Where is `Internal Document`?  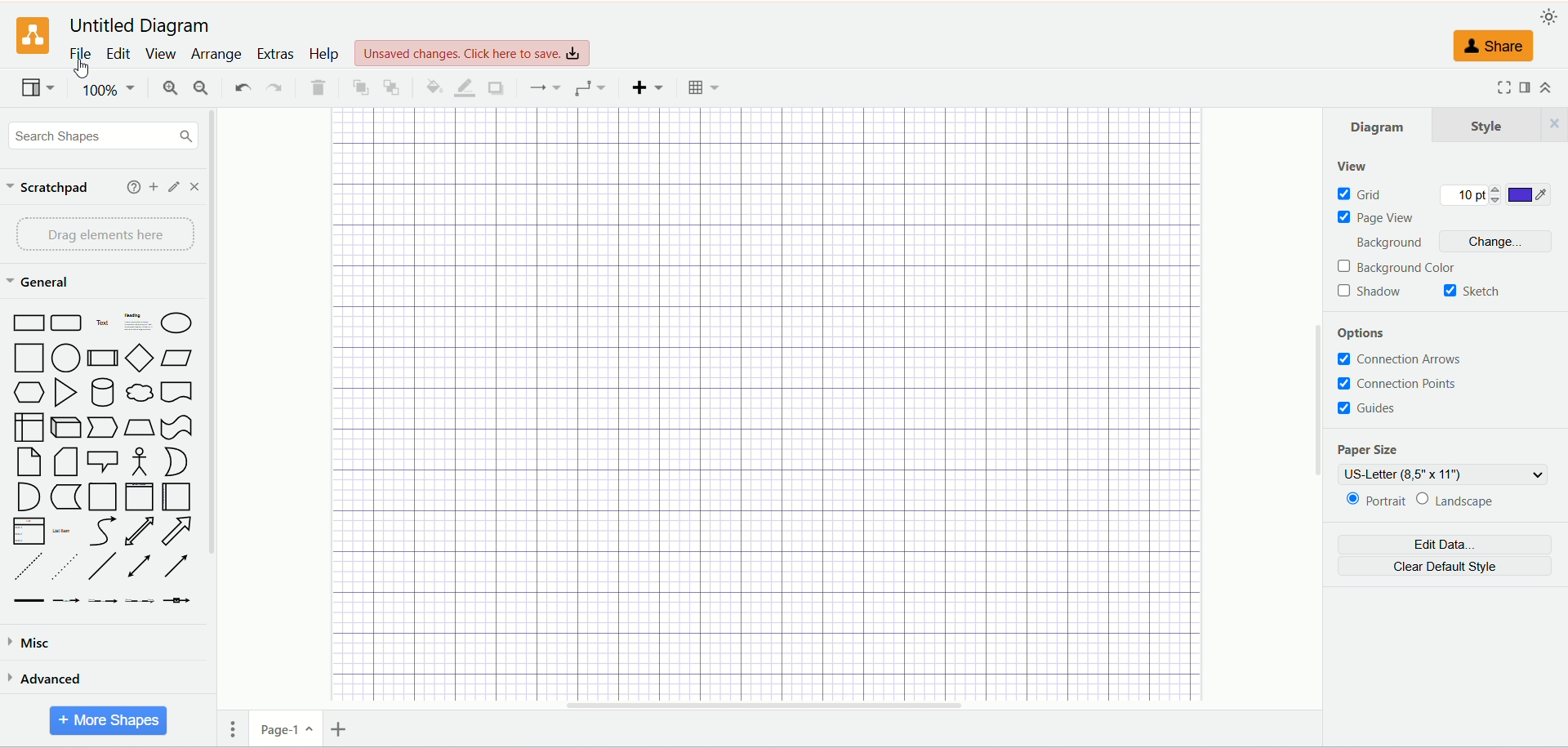 Internal Document is located at coordinates (29, 426).